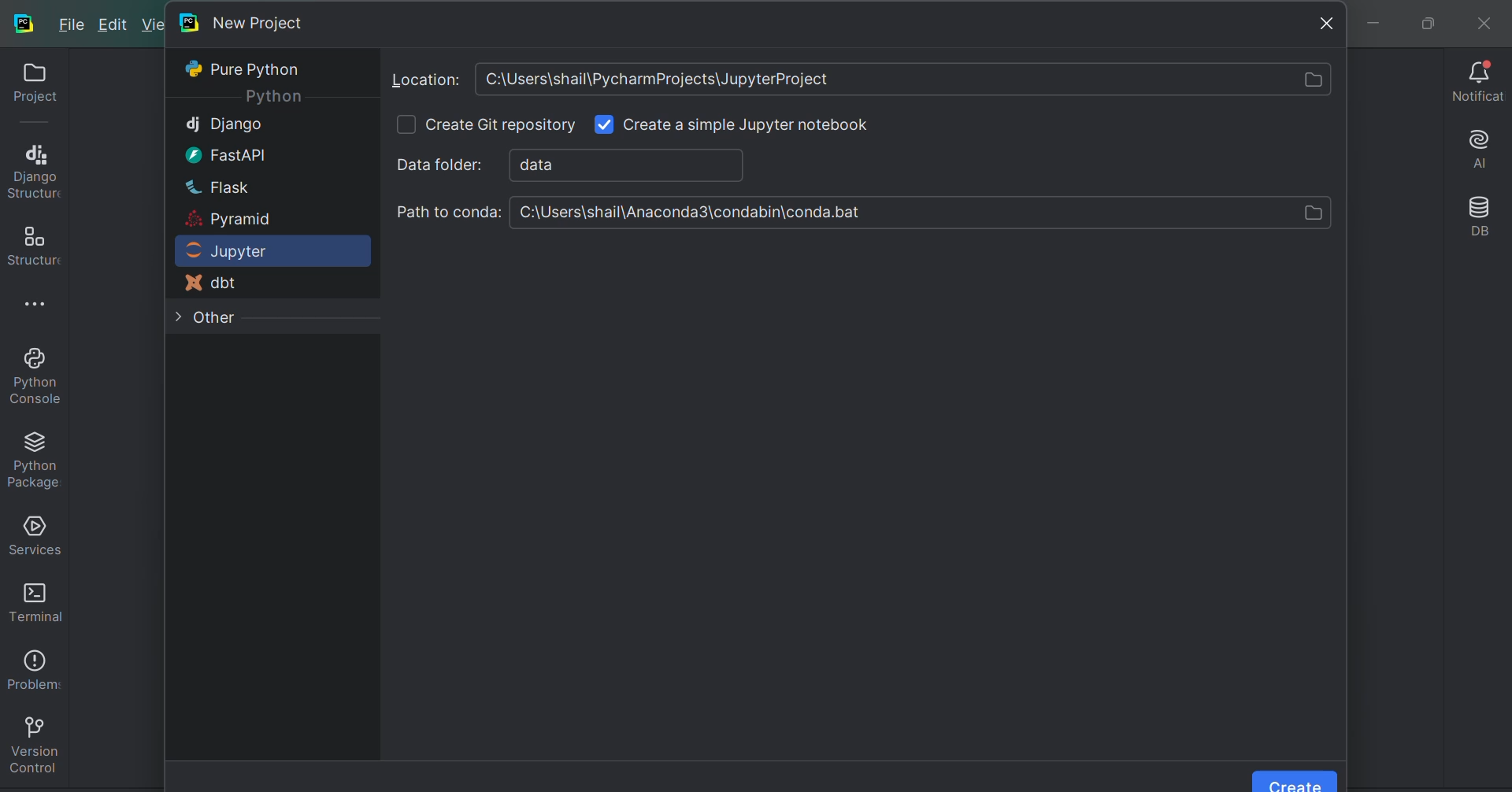 The height and width of the screenshot is (792, 1512). I want to click on create a simple jupyter notebook, so click(750, 124).